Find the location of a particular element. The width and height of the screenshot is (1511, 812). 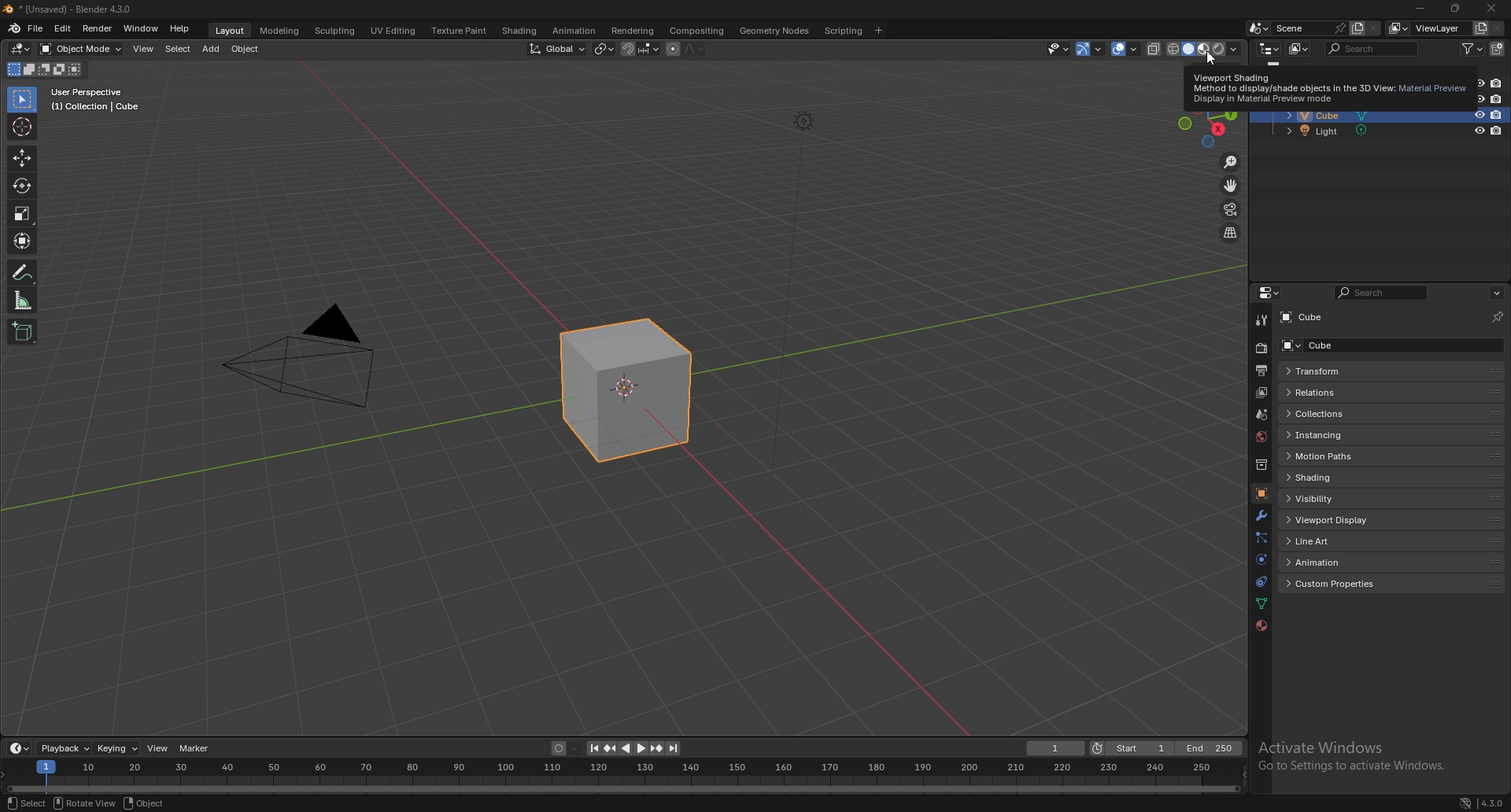

render is located at coordinates (96, 28).